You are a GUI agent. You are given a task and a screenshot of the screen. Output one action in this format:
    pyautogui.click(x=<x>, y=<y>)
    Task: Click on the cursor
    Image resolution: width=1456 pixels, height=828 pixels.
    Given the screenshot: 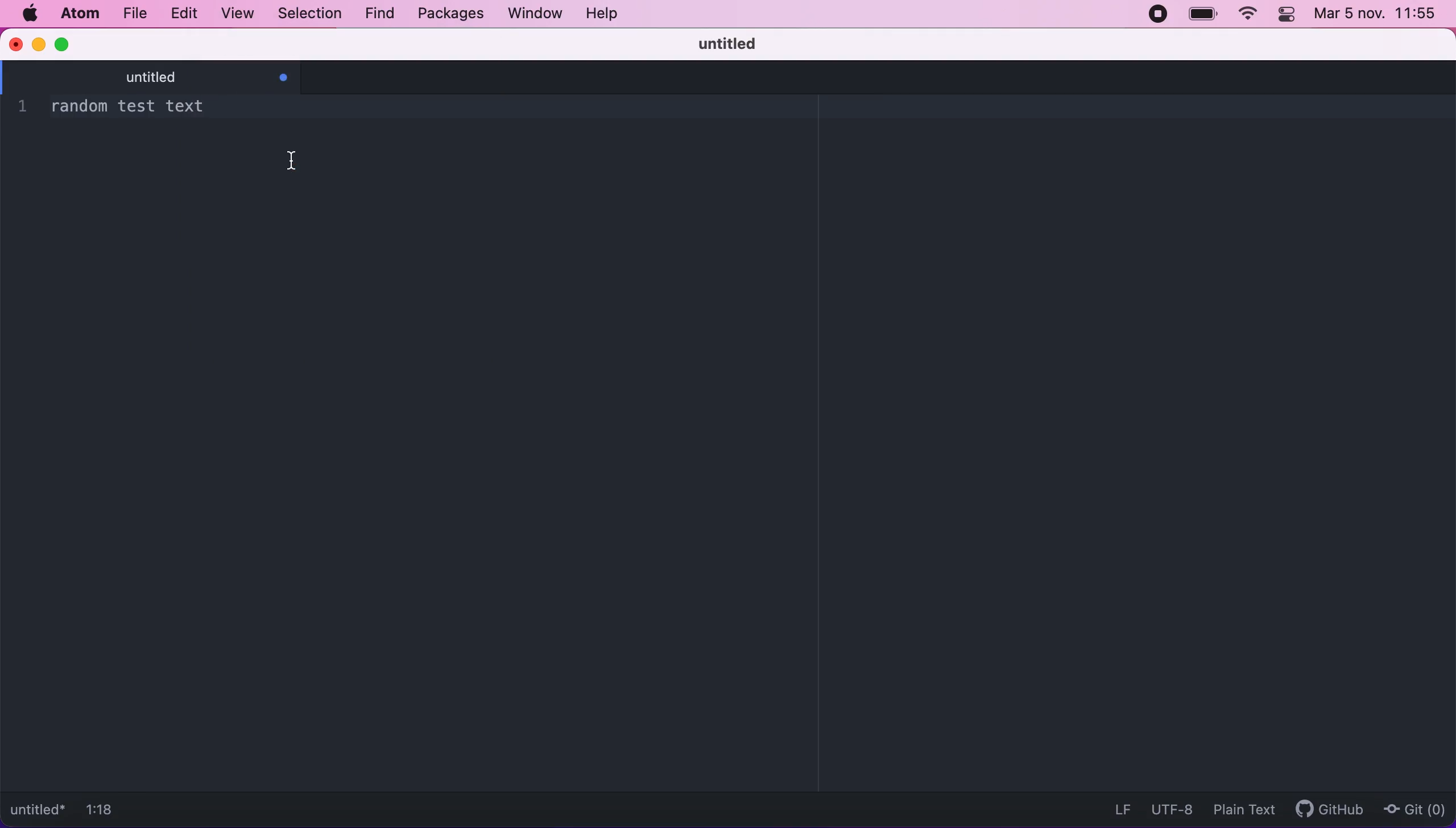 What is the action you would take?
    pyautogui.click(x=298, y=161)
    